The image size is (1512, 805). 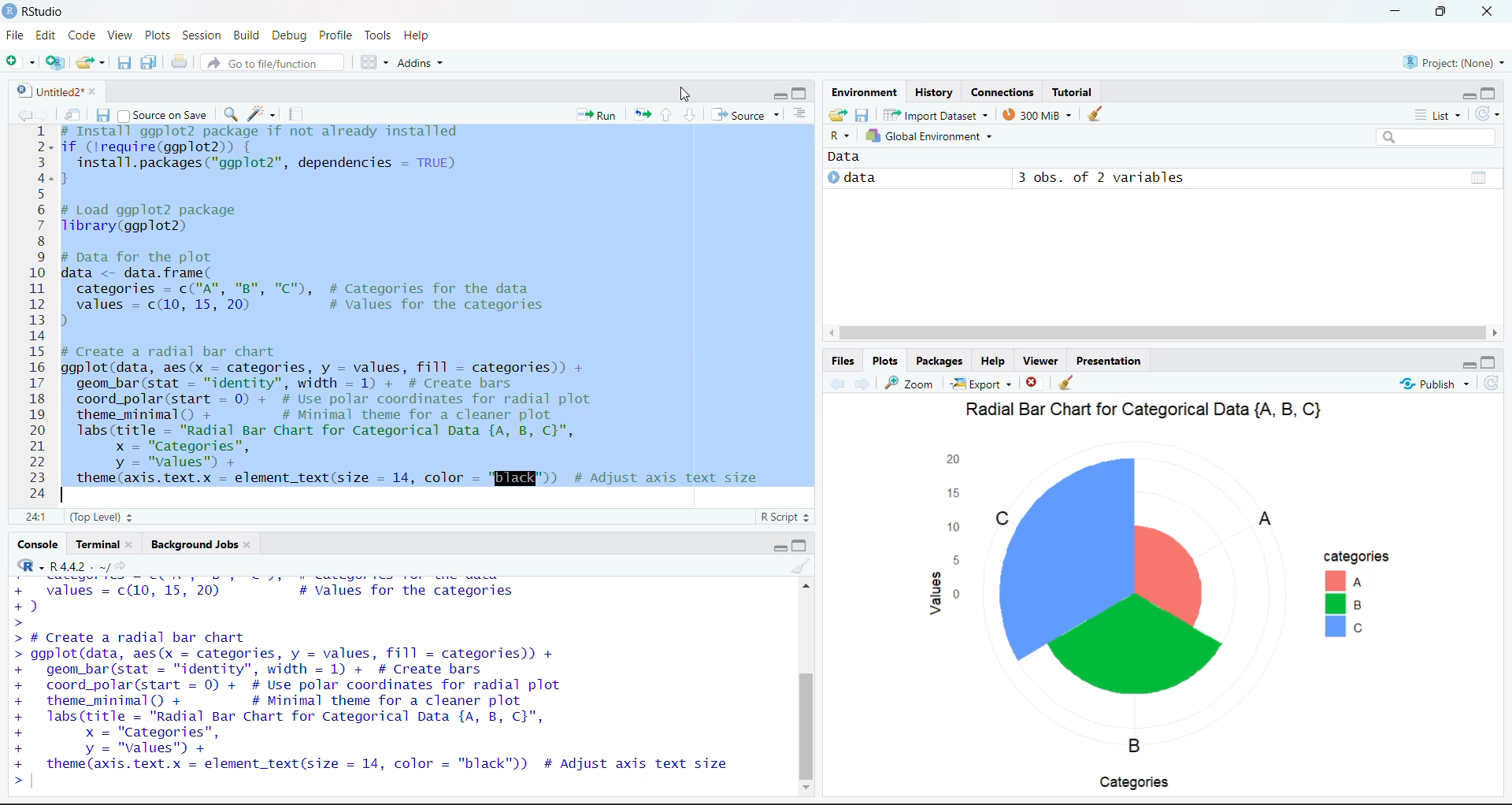 What do you see at coordinates (202, 545) in the screenshot?
I see `Background Jobs` at bounding box center [202, 545].